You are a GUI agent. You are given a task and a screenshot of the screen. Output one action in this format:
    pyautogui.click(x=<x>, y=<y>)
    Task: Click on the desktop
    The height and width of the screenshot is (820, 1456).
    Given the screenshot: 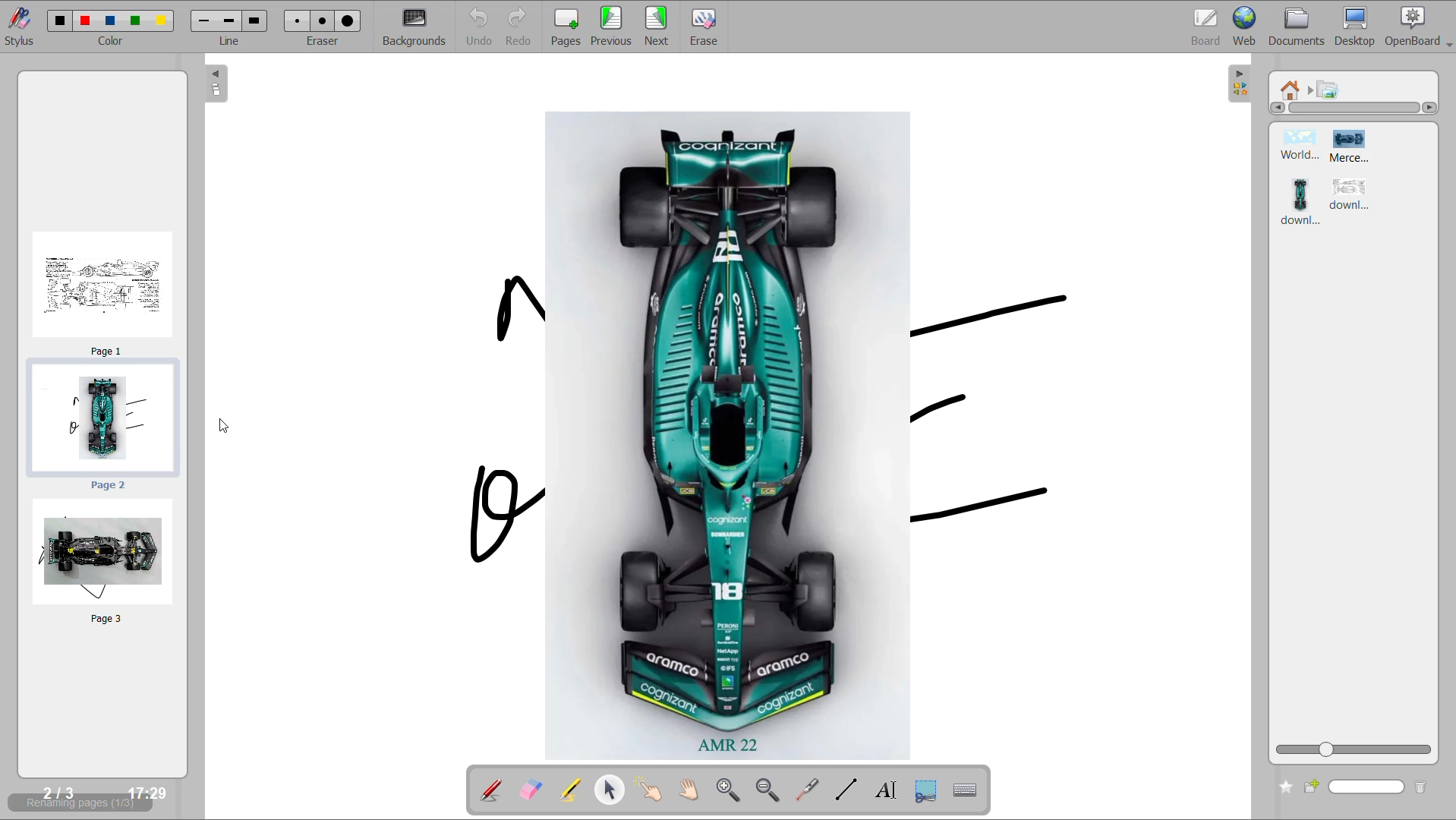 What is the action you would take?
    pyautogui.click(x=1356, y=27)
    